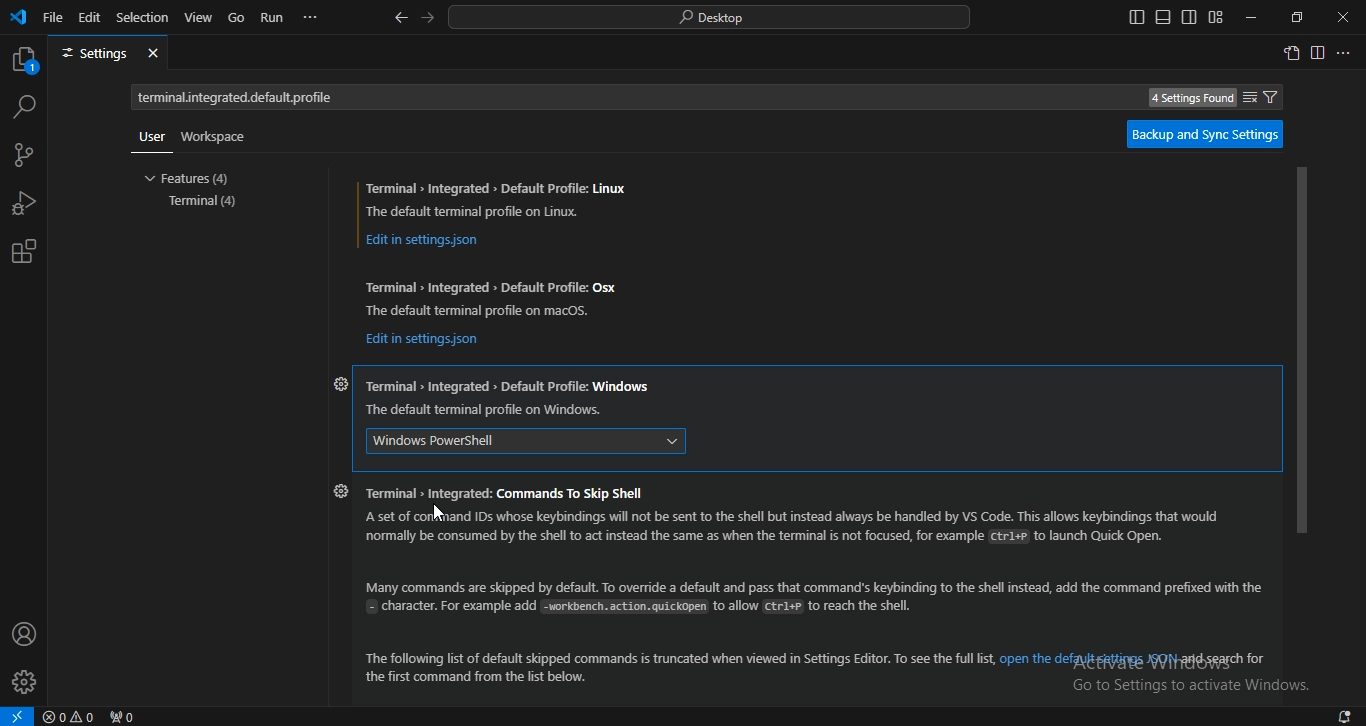 Image resolution: width=1366 pixels, height=726 pixels. I want to click on ..., so click(1341, 51).